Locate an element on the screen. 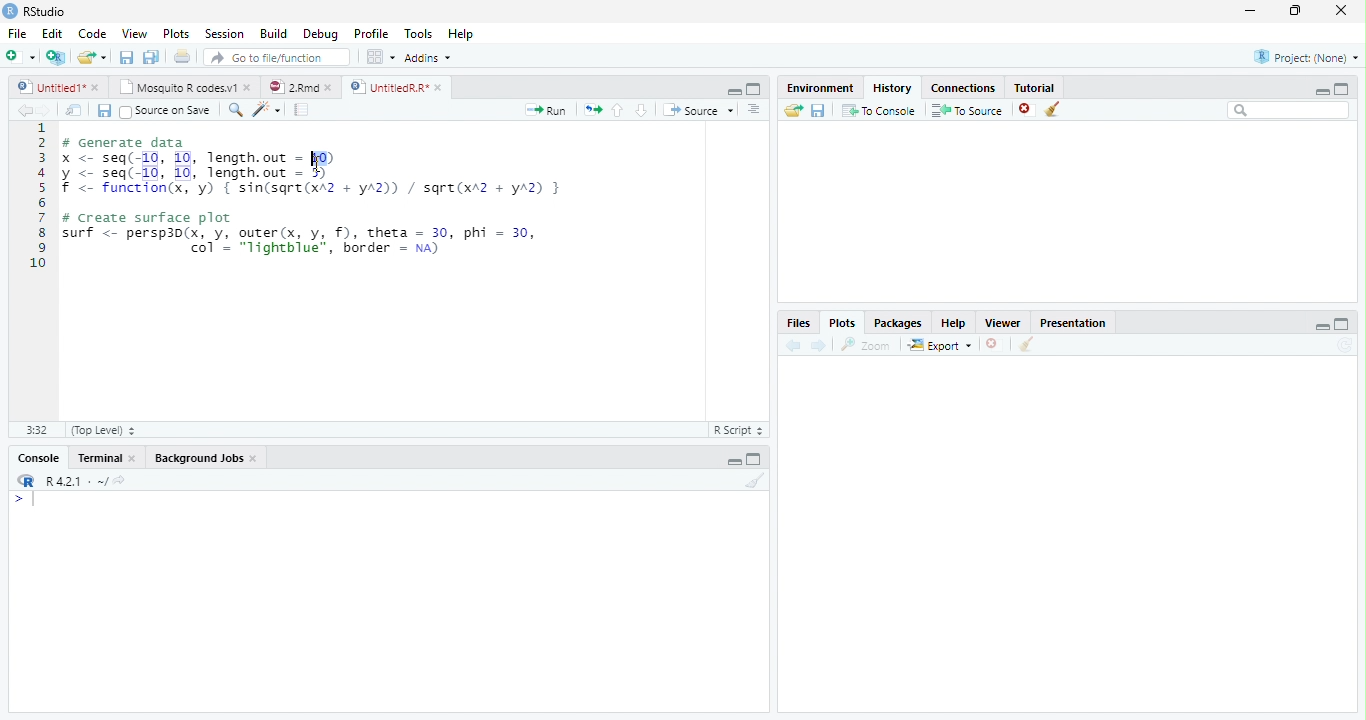 The image size is (1366, 720). maximize is located at coordinates (1342, 89).